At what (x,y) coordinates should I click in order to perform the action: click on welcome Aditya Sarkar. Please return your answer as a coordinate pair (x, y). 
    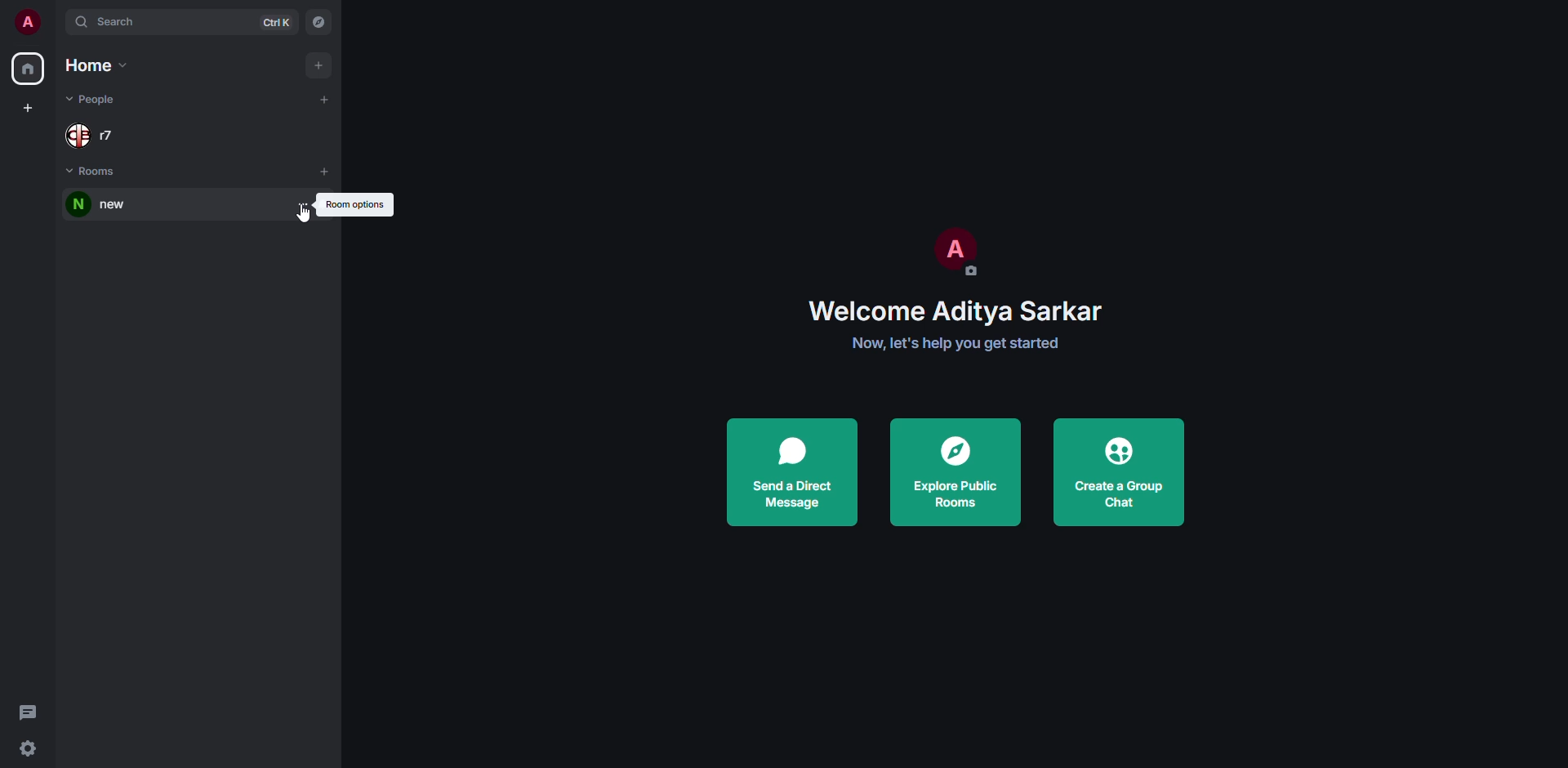
    Looking at the image, I should click on (956, 311).